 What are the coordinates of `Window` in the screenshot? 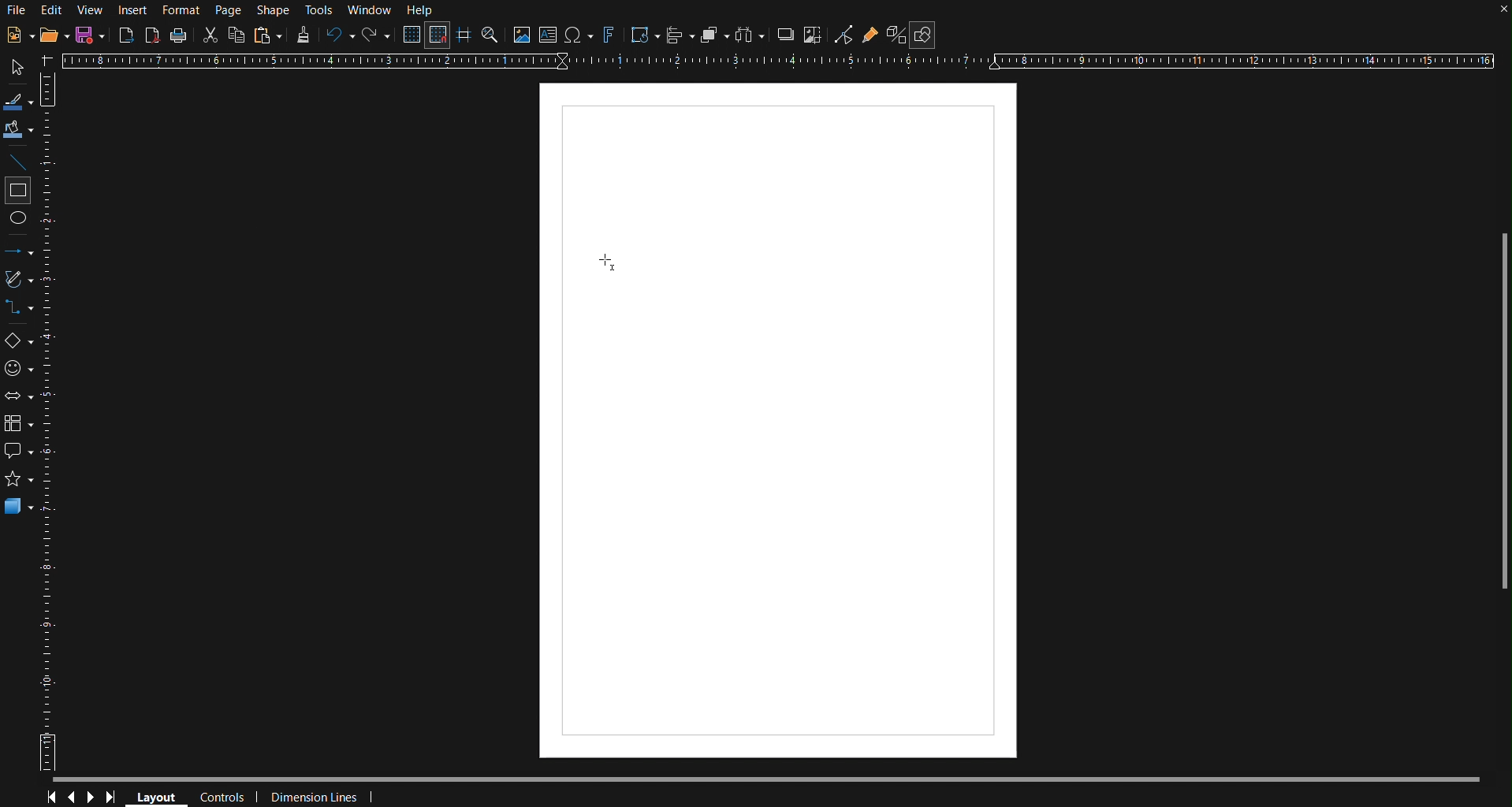 It's located at (370, 10).